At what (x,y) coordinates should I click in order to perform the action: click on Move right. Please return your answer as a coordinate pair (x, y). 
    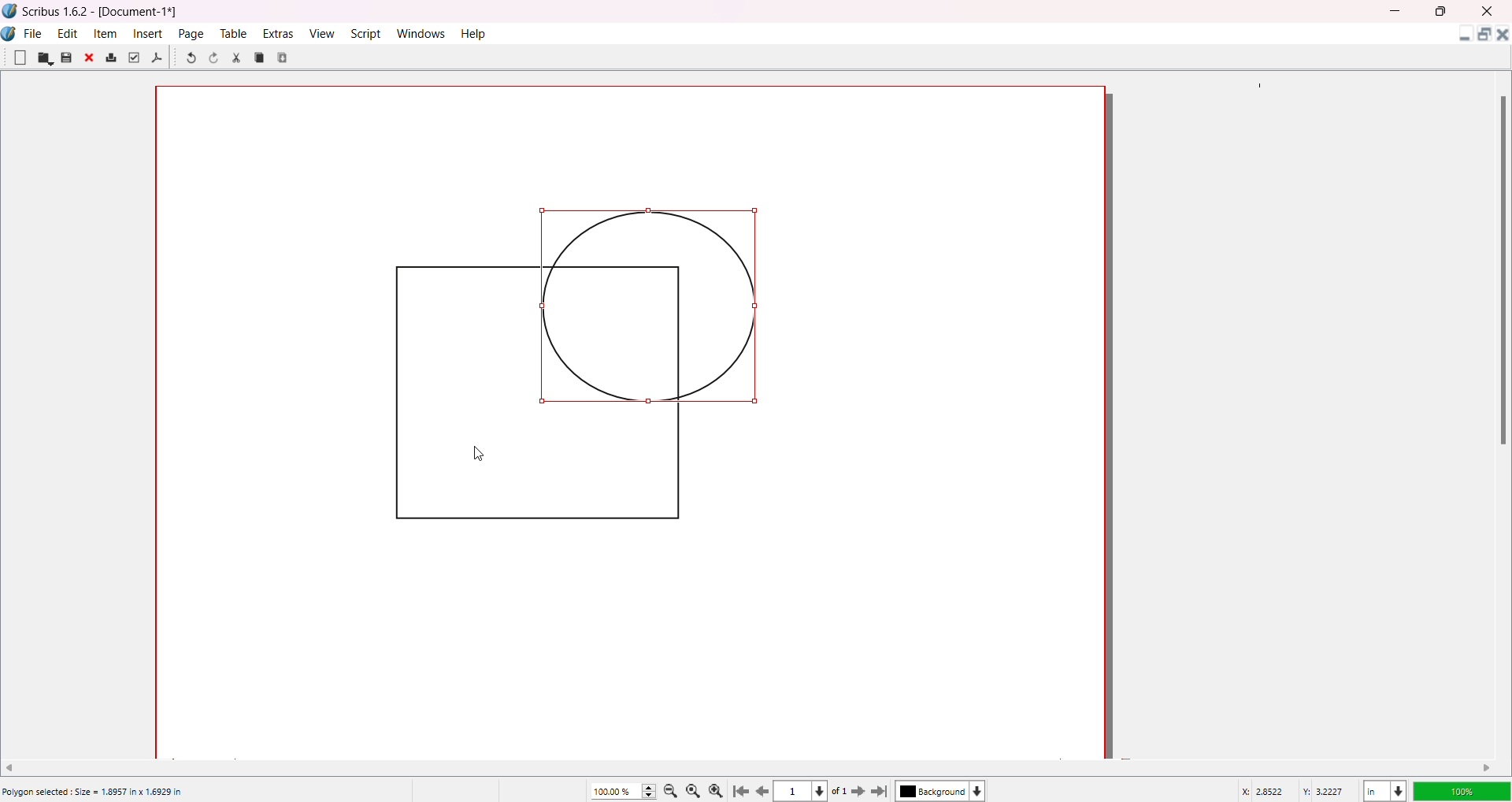
    Looking at the image, I should click on (1488, 767).